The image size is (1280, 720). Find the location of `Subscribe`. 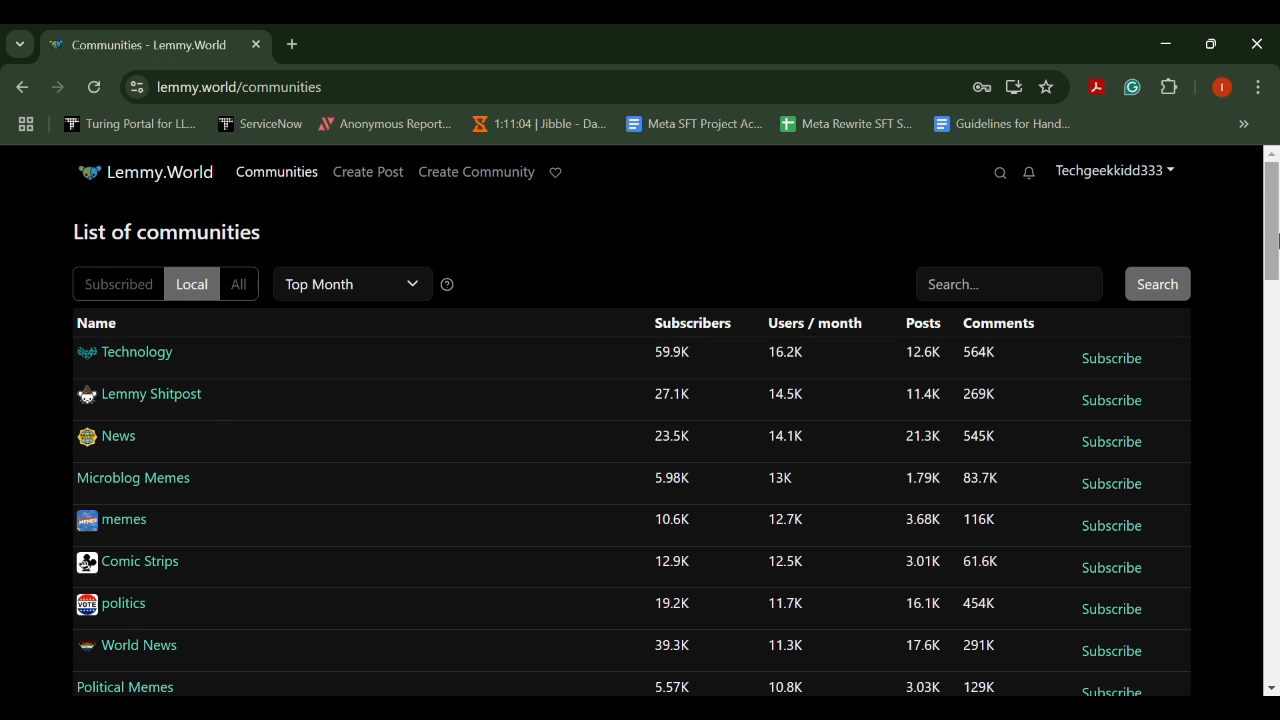

Subscribe is located at coordinates (1112, 442).